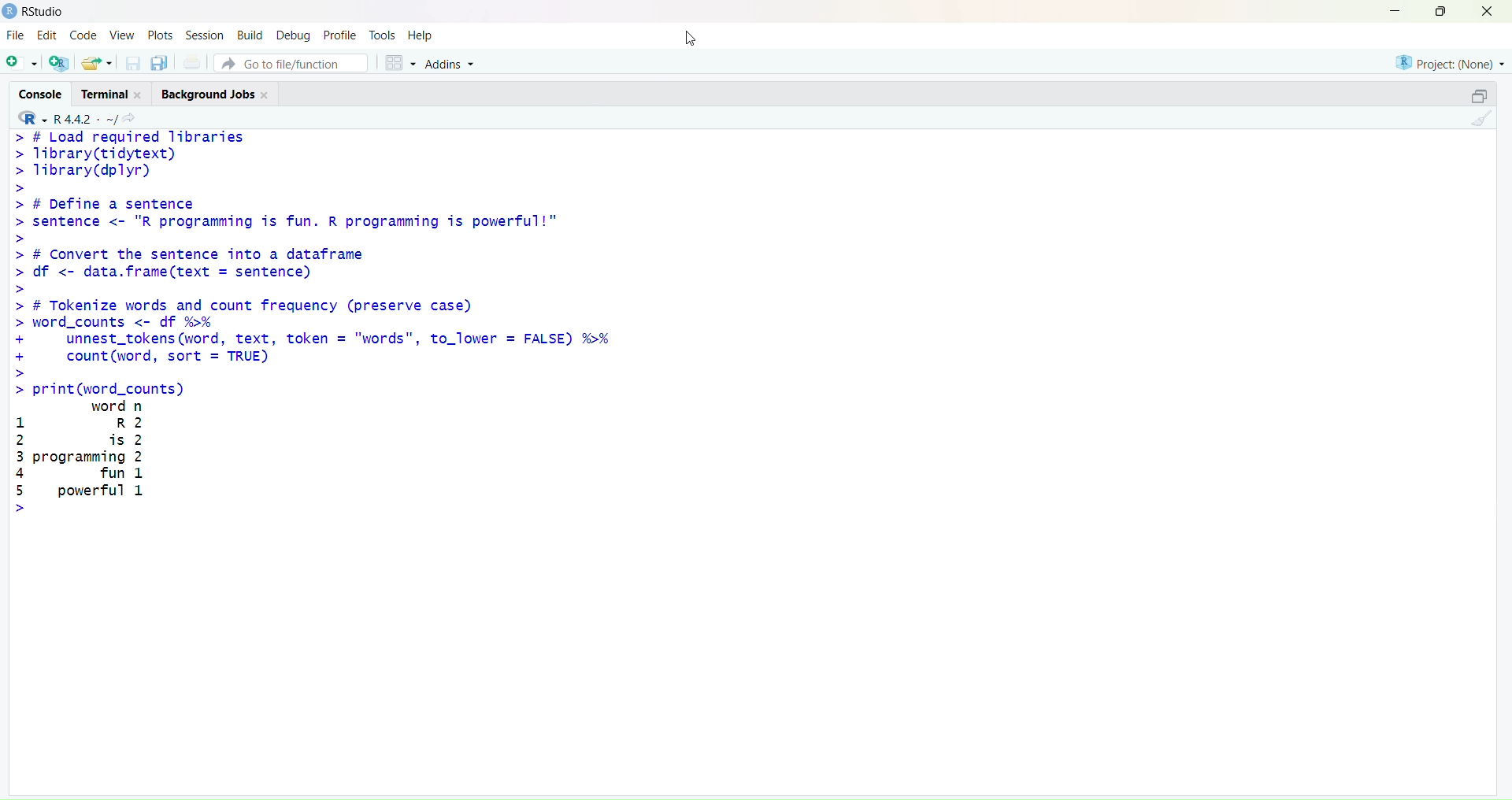 Image resolution: width=1512 pixels, height=800 pixels. I want to click on maximize, so click(1440, 13).